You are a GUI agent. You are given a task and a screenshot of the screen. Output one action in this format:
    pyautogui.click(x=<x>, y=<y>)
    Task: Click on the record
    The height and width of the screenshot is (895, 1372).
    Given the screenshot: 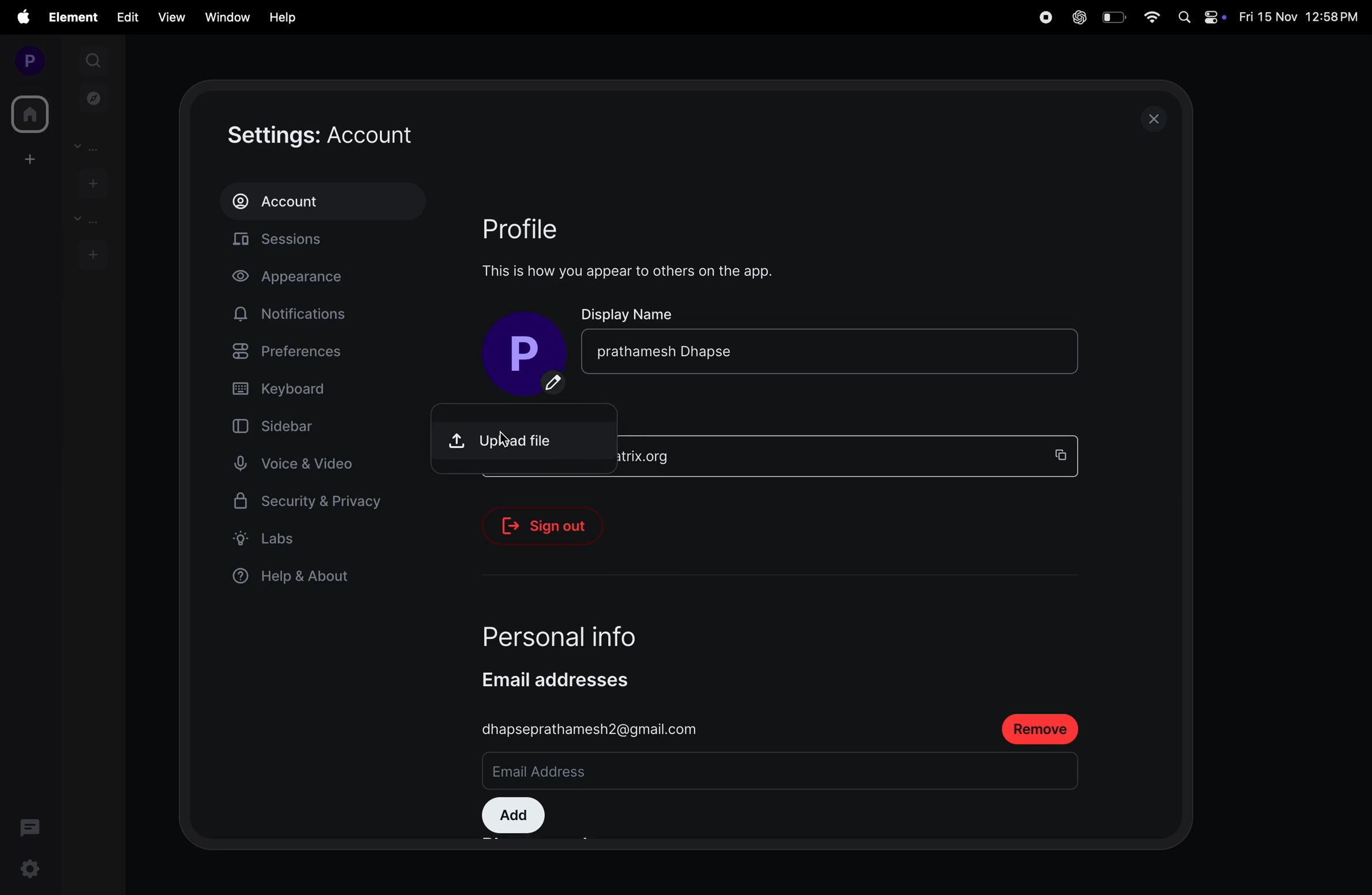 What is the action you would take?
    pyautogui.click(x=1043, y=17)
    